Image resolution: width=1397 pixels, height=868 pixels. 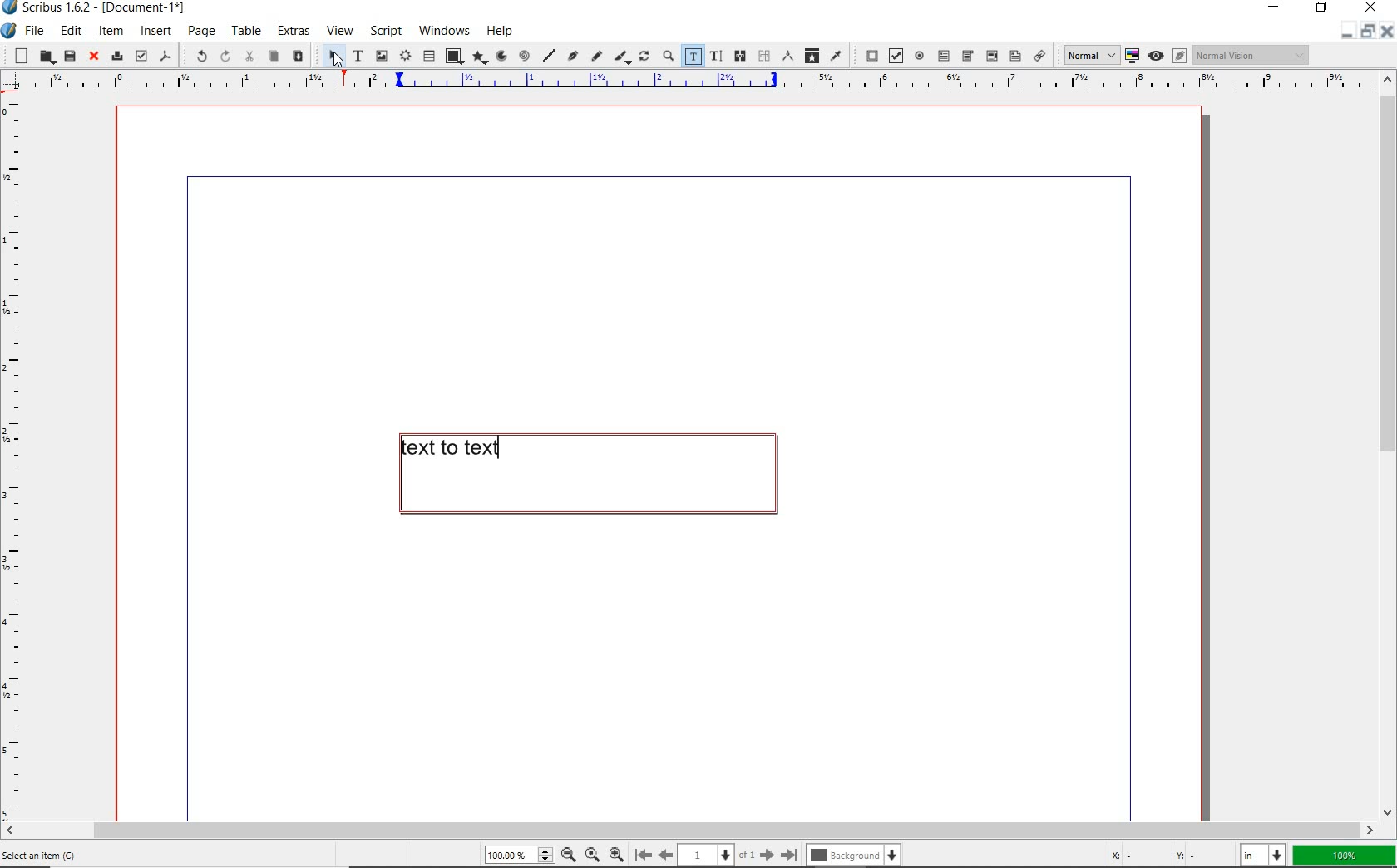 I want to click on windows, so click(x=445, y=32).